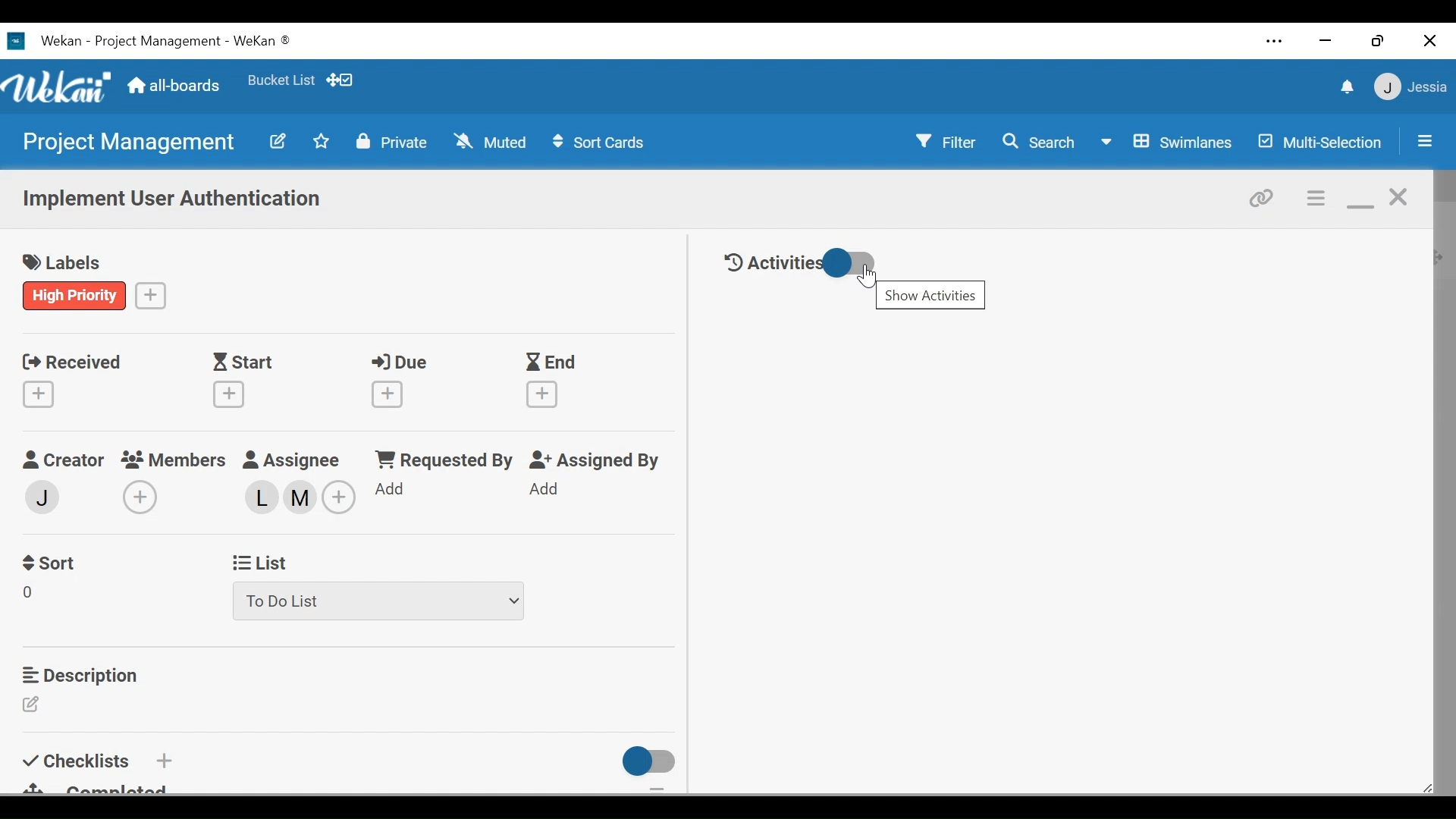 The height and width of the screenshot is (819, 1456). Describe the element at coordinates (36, 707) in the screenshot. I see `Edit` at that location.